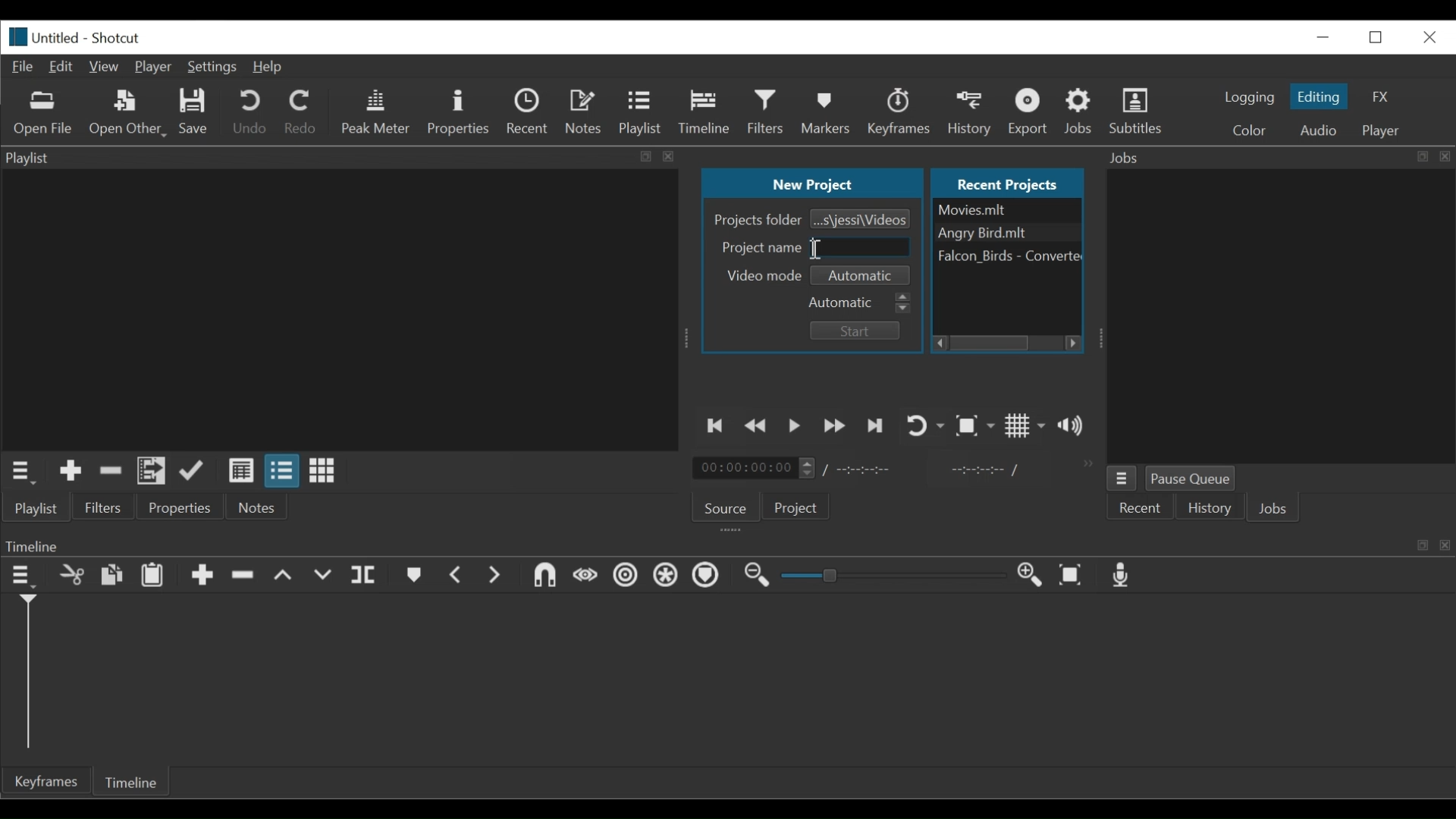 This screenshot has width=1456, height=819. What do you see at coordinates (45, 36) in the screenshot?
I see `File Name` at bounding box center [45, 36].